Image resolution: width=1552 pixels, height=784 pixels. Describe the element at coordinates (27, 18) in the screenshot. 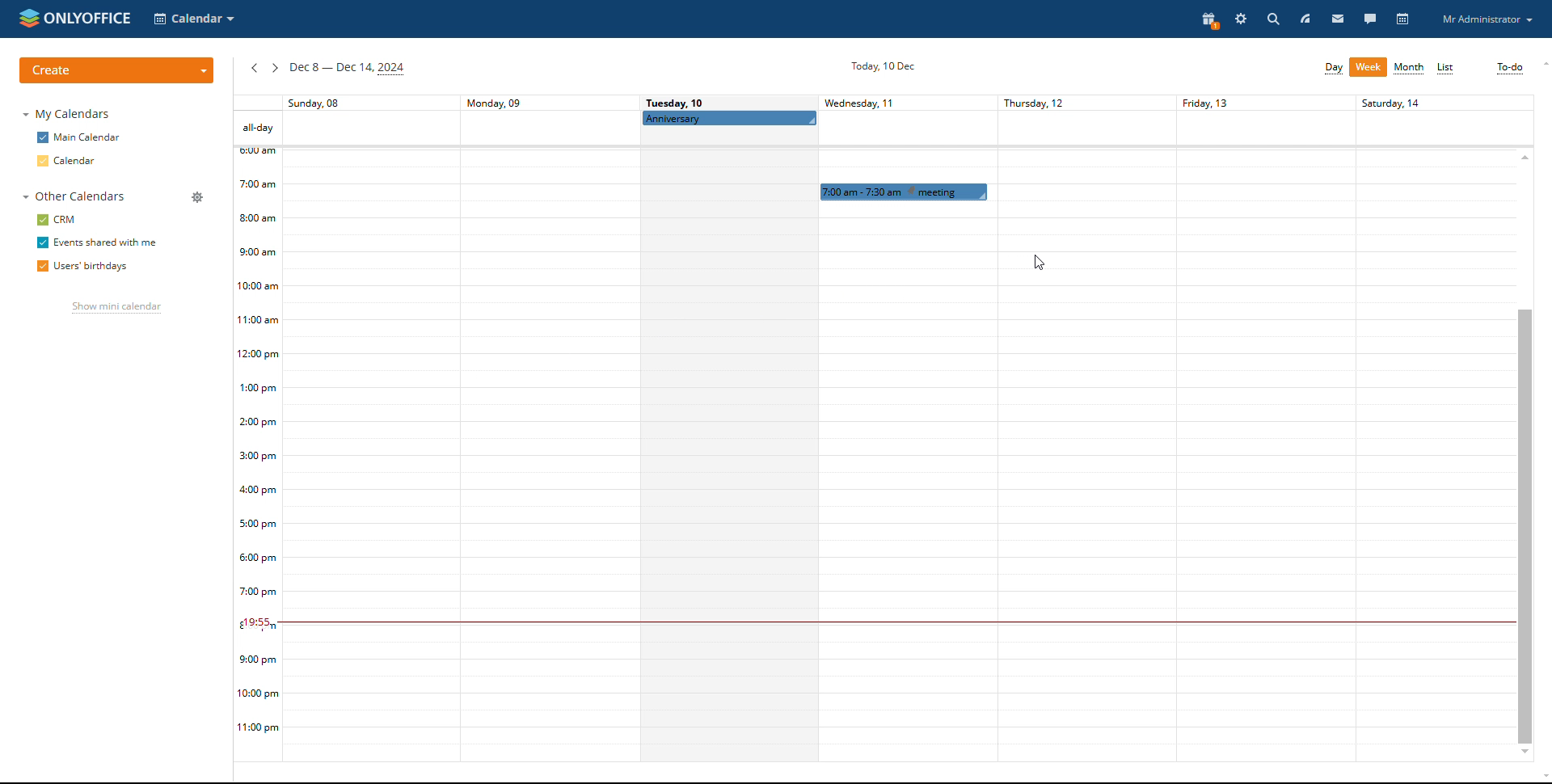

I see `onlyoffice logo` at that location.